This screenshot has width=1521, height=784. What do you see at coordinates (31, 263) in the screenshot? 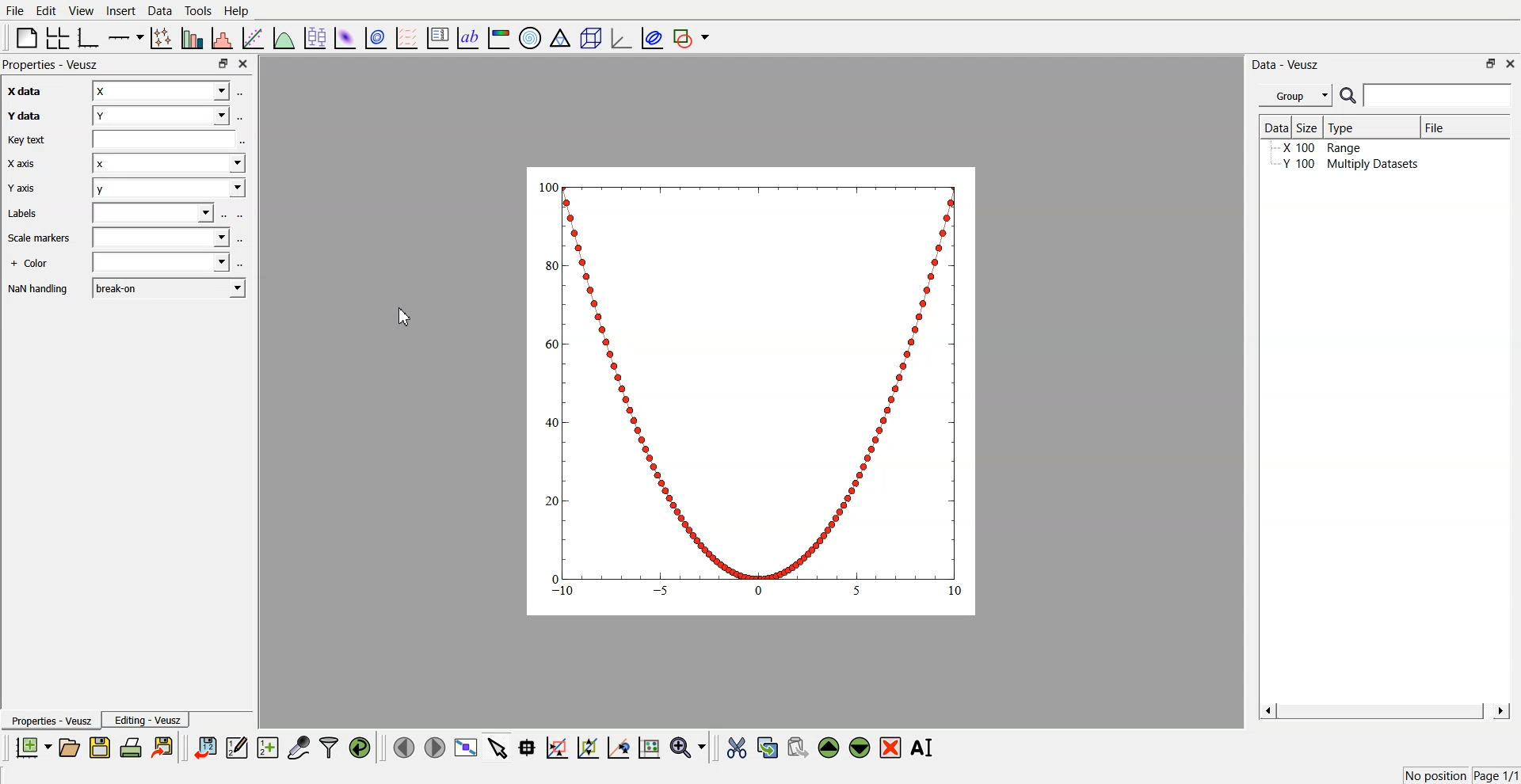
I see `+ Color` at bounding box center [31, 263].